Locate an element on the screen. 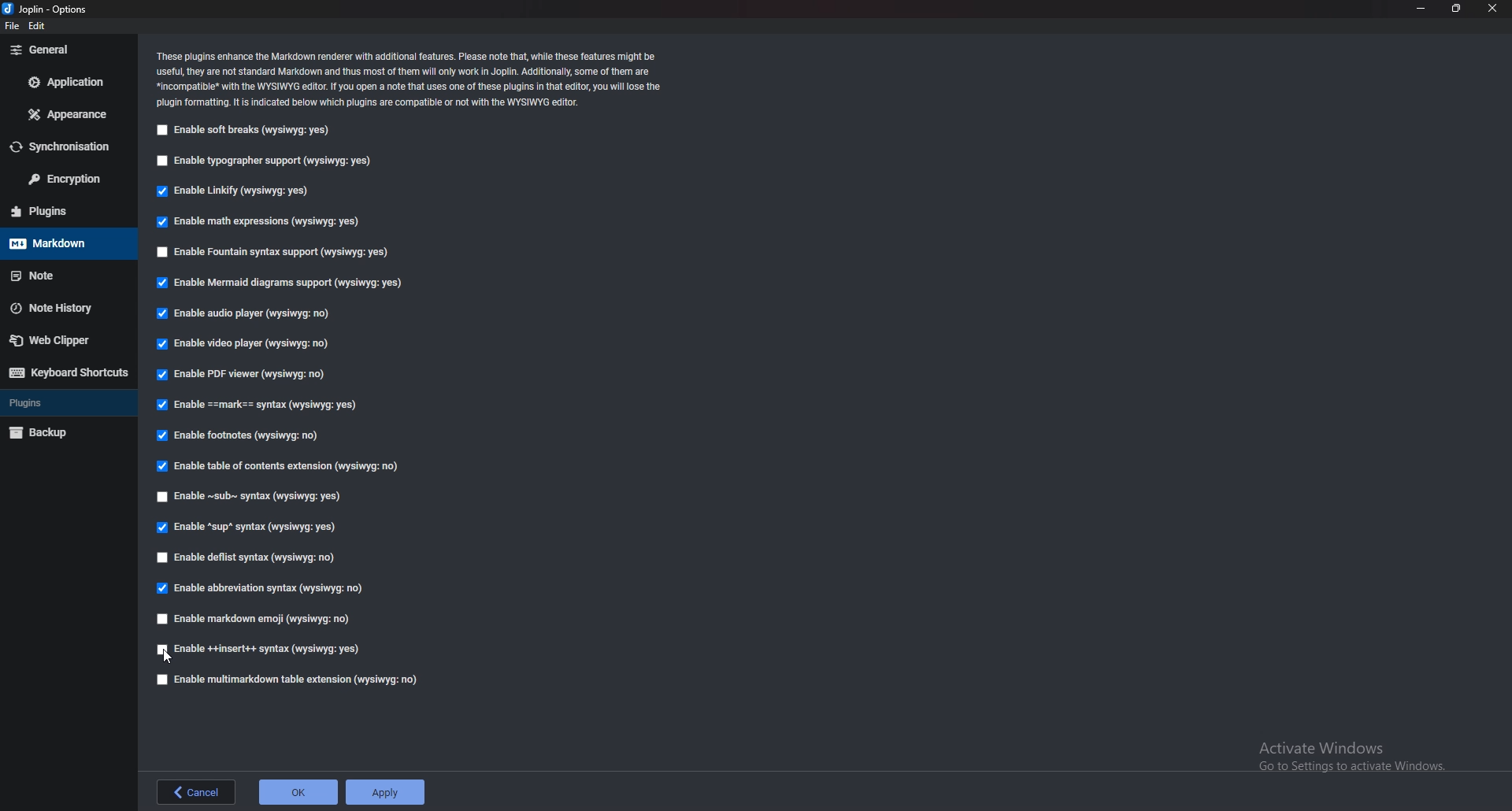 The width and height of the screenshot is (1512, 811). Enable deflist syntax (wysiwyg: no) is located at coordinates (249, 558).